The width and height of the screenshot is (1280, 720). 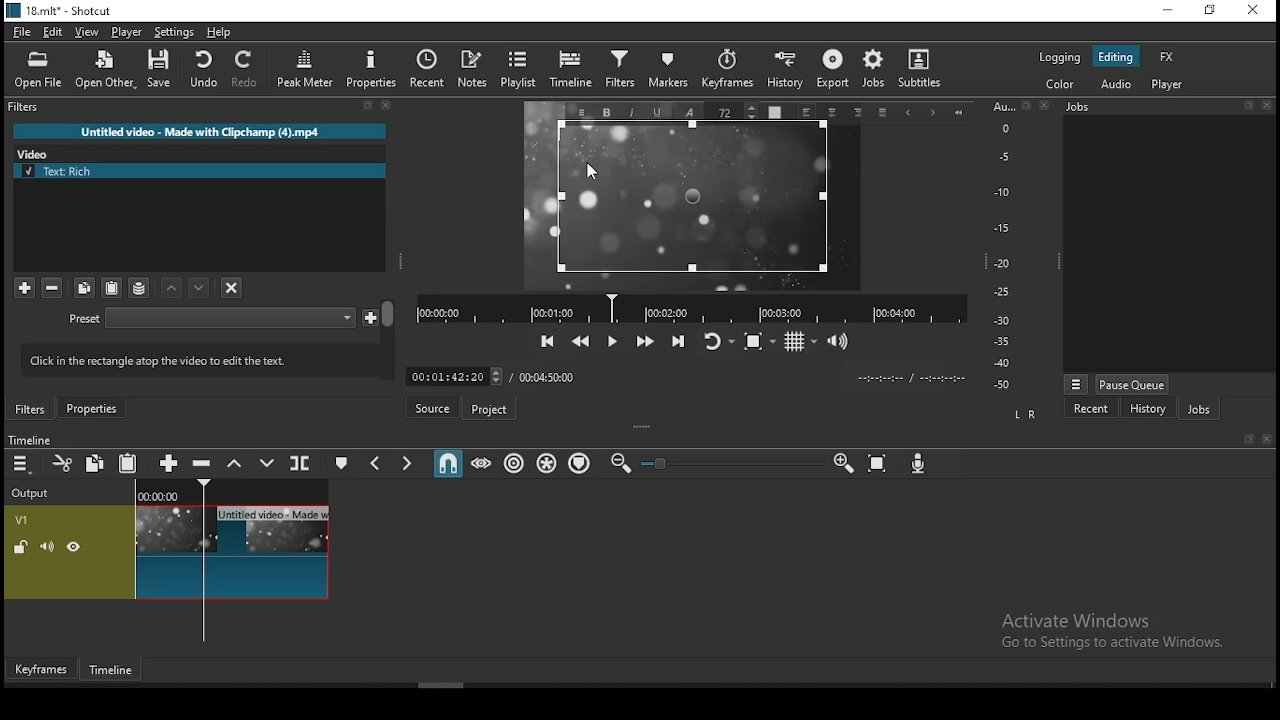 I want to click on Untitled video - Made with Clipchamp (4).mp4, so click(x=200, y=131).